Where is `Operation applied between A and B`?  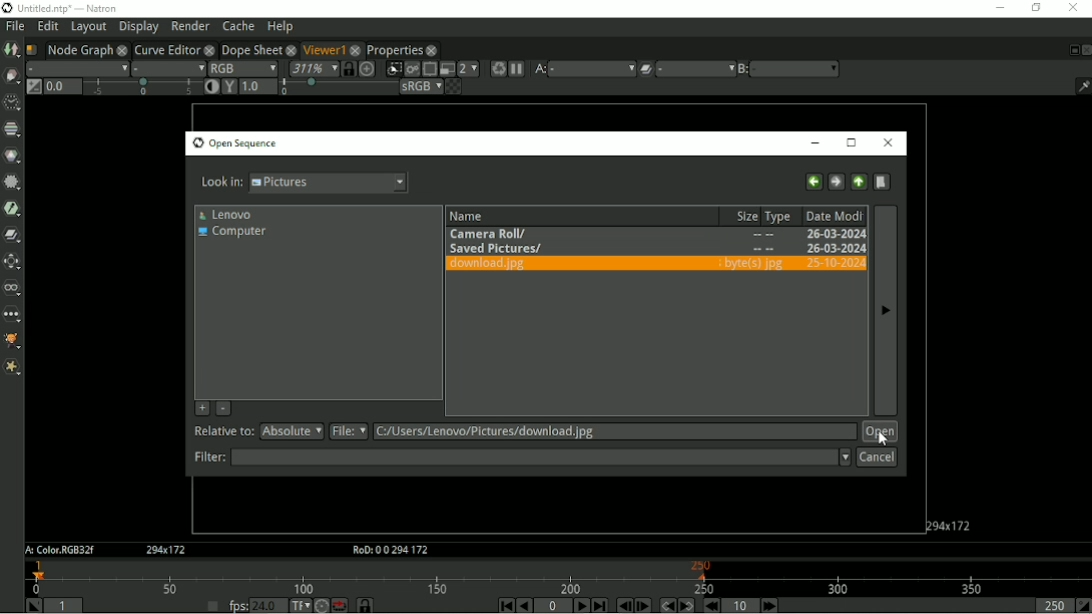
Operation applied between A and B is located at coordinates (646, 68).